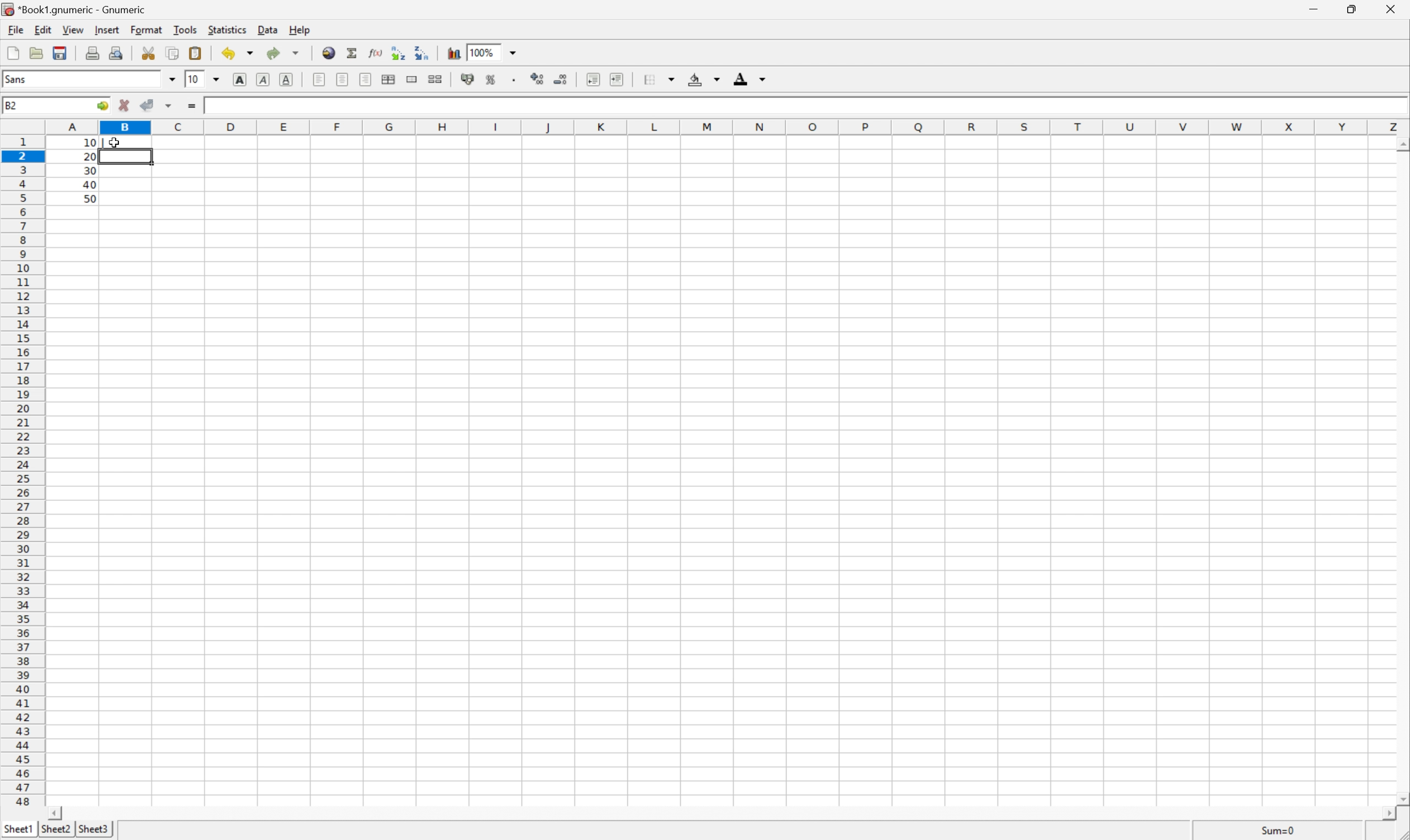 The width and height of the screenshot is (1410, 840). I want to click on Data, so click(269, 30).